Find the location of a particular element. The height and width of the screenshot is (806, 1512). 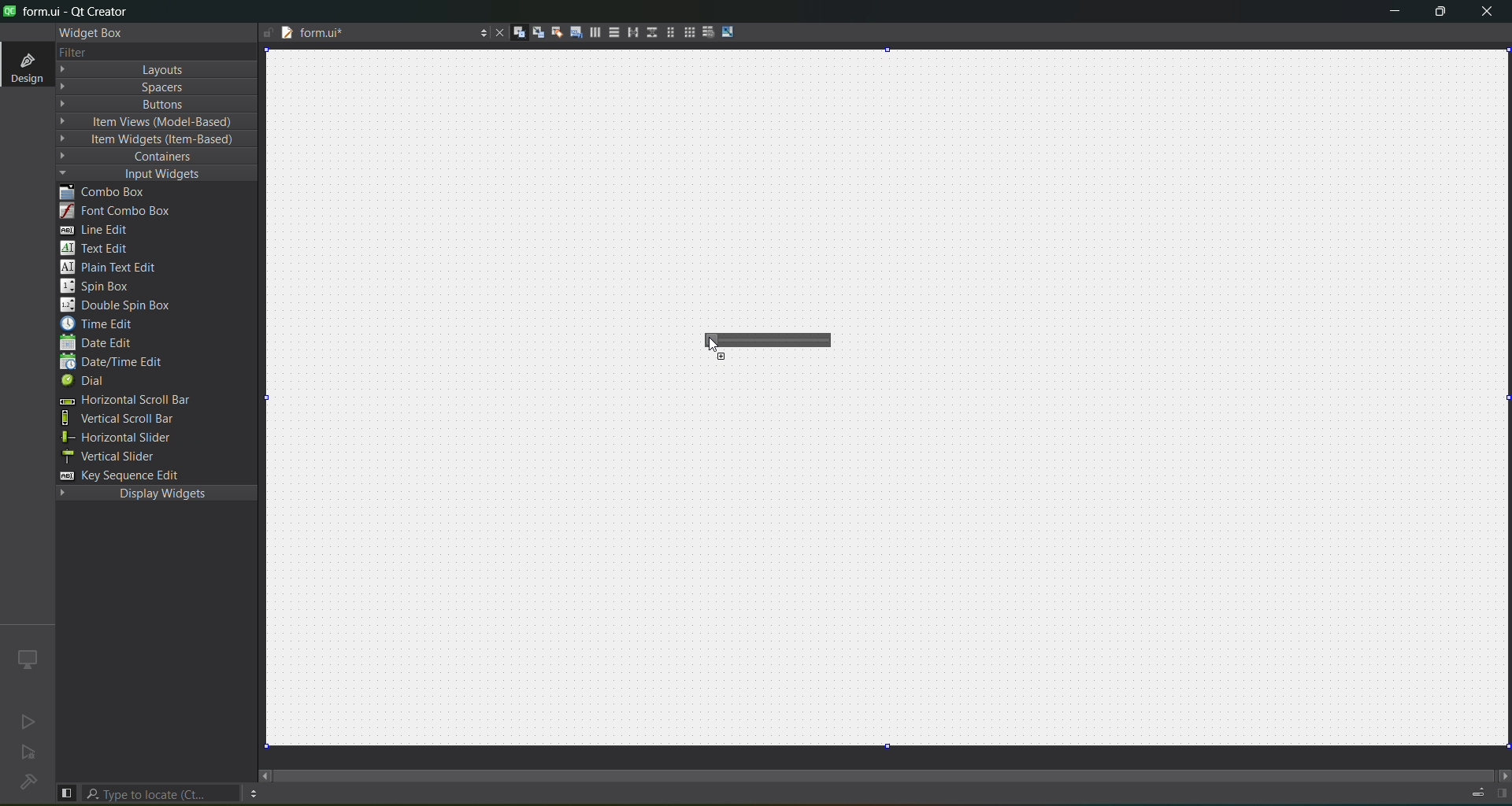

icon is located at coordinates (27, 657).